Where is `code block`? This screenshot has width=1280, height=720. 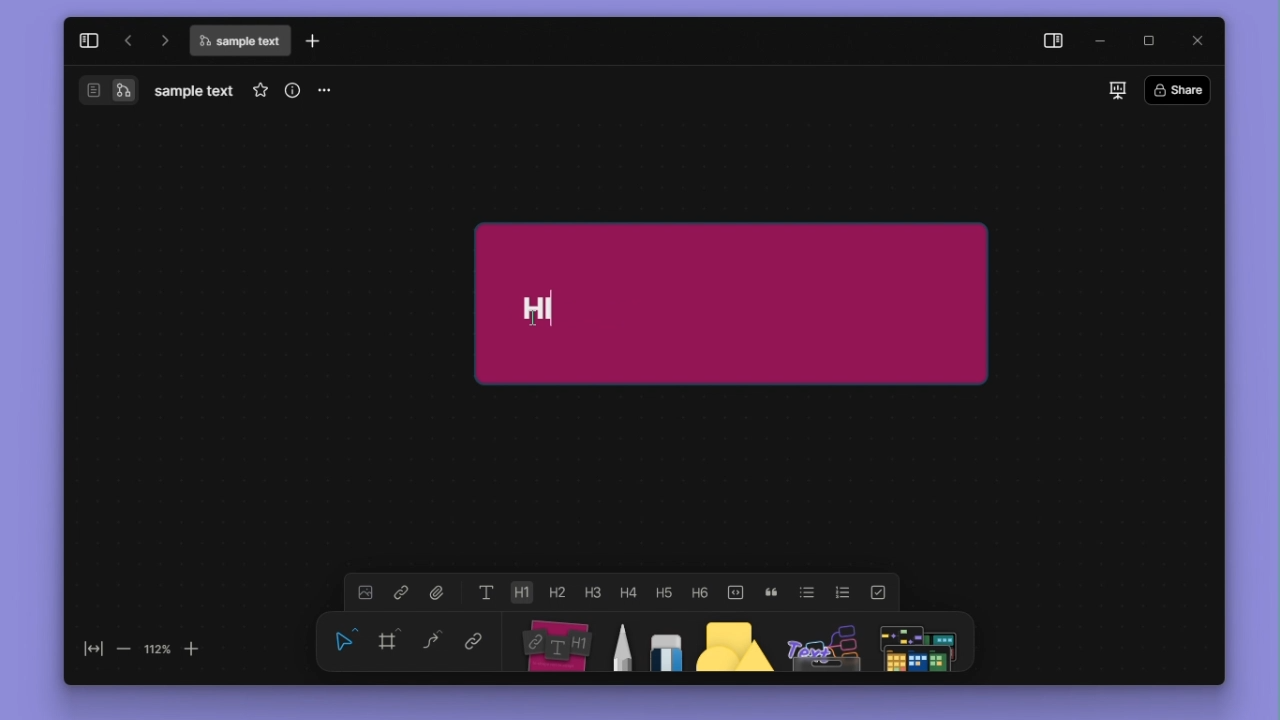
code block is located at coordinates (735, 593).